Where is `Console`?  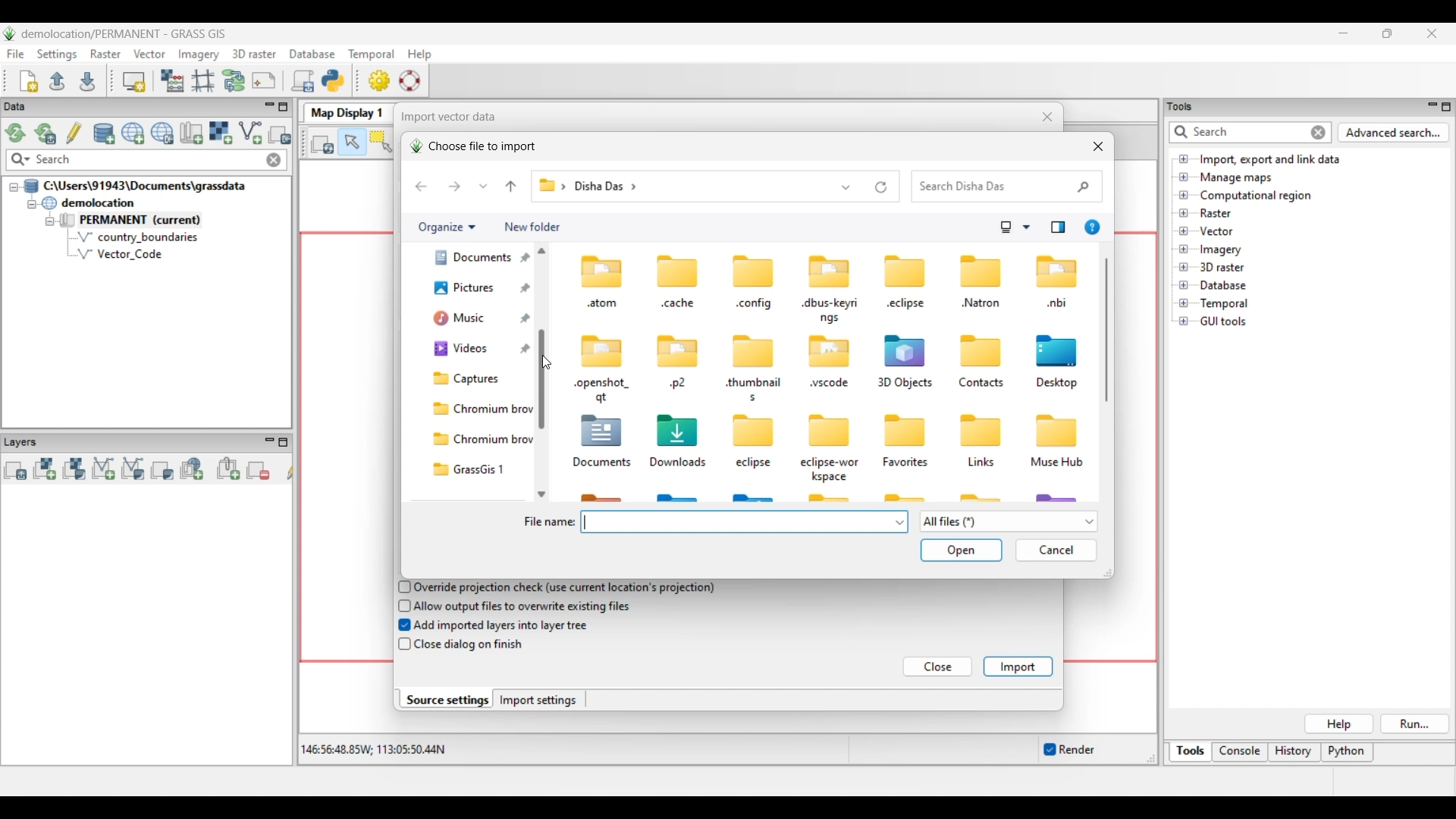
Console is located at coordinates (1240, 753).